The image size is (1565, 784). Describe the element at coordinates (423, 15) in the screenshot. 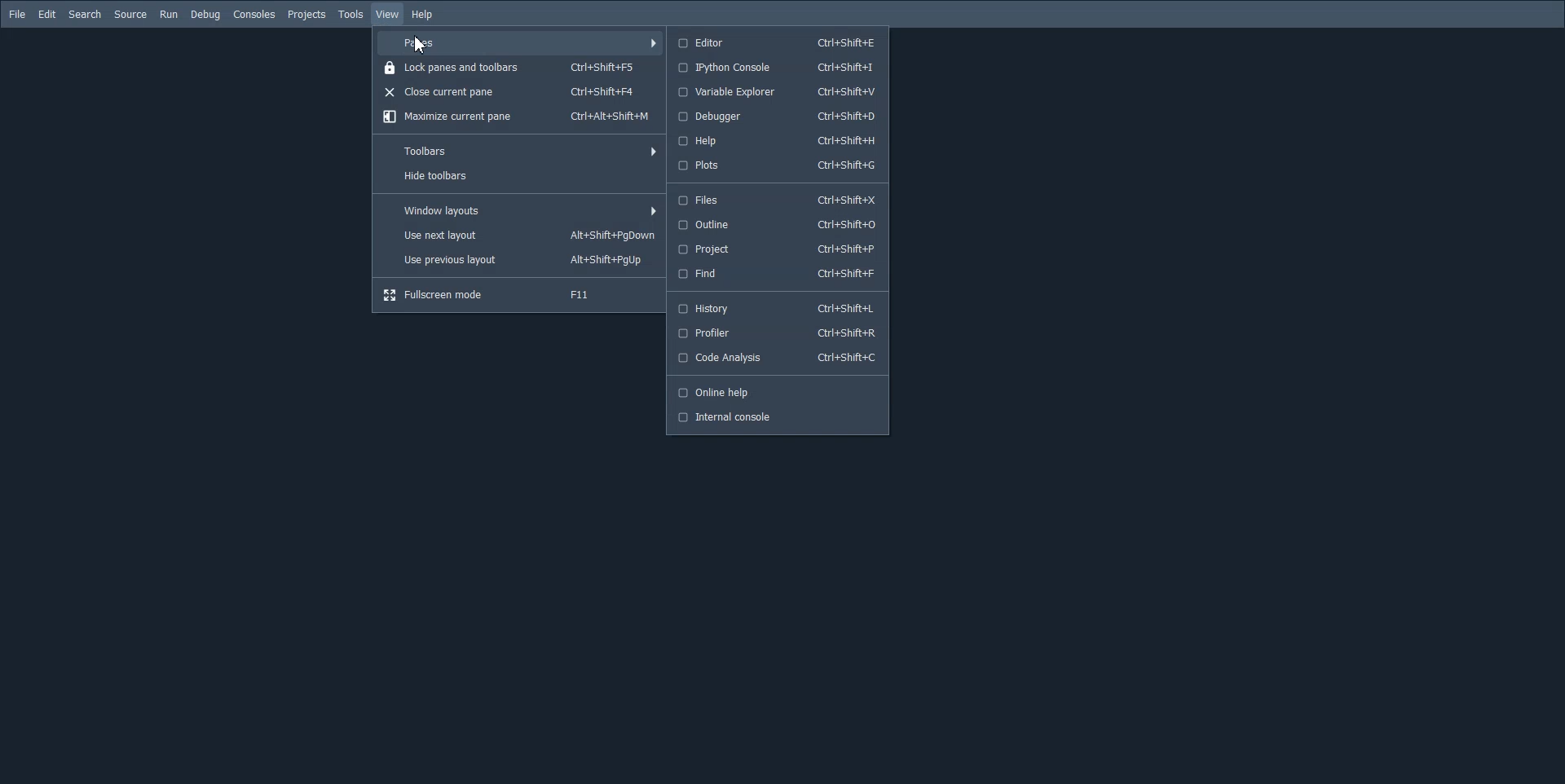

I see `Help` at that location.